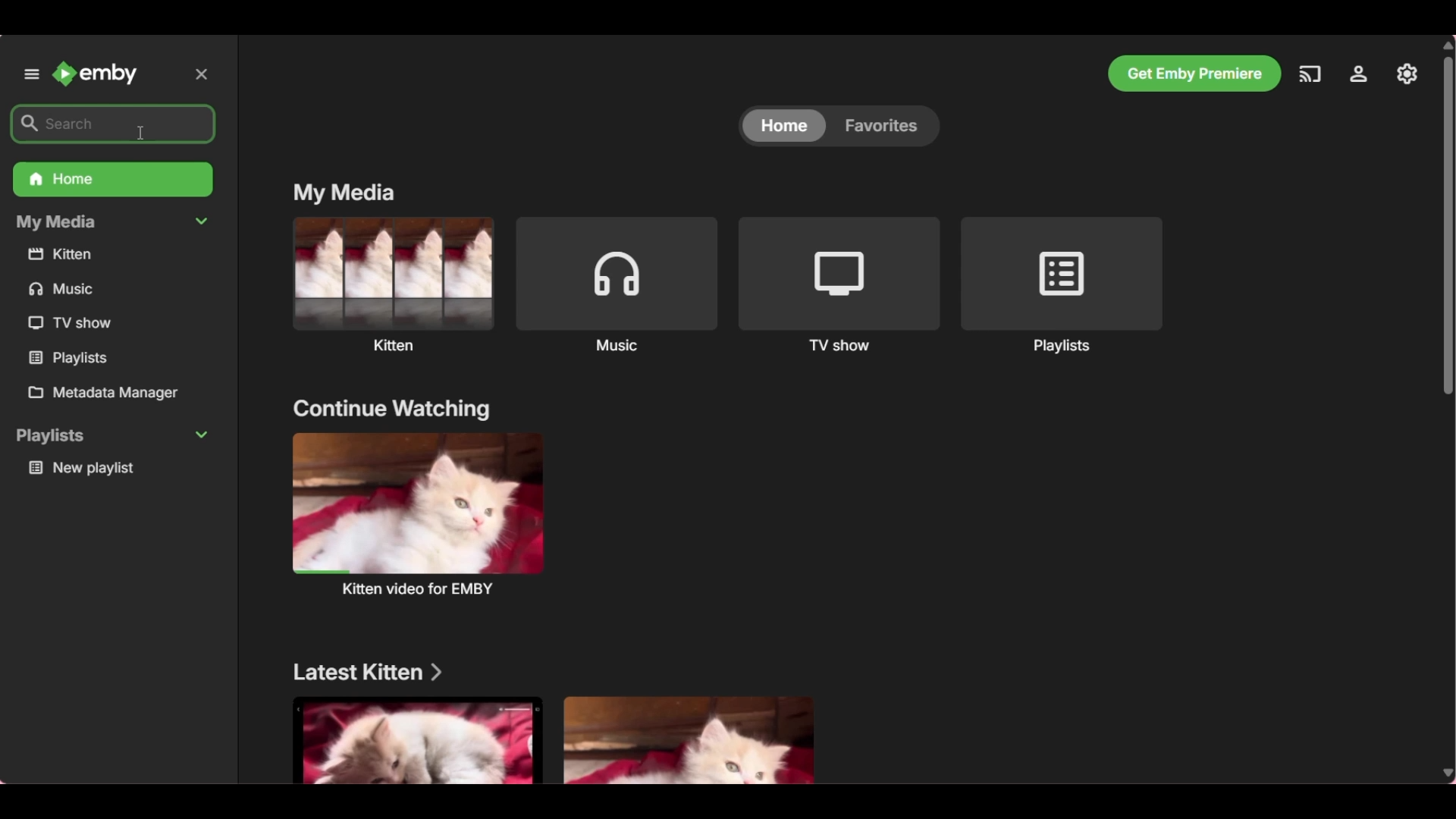  Describe the element at coordinates (74, 288) in the screenshot. I see `music` at that location.